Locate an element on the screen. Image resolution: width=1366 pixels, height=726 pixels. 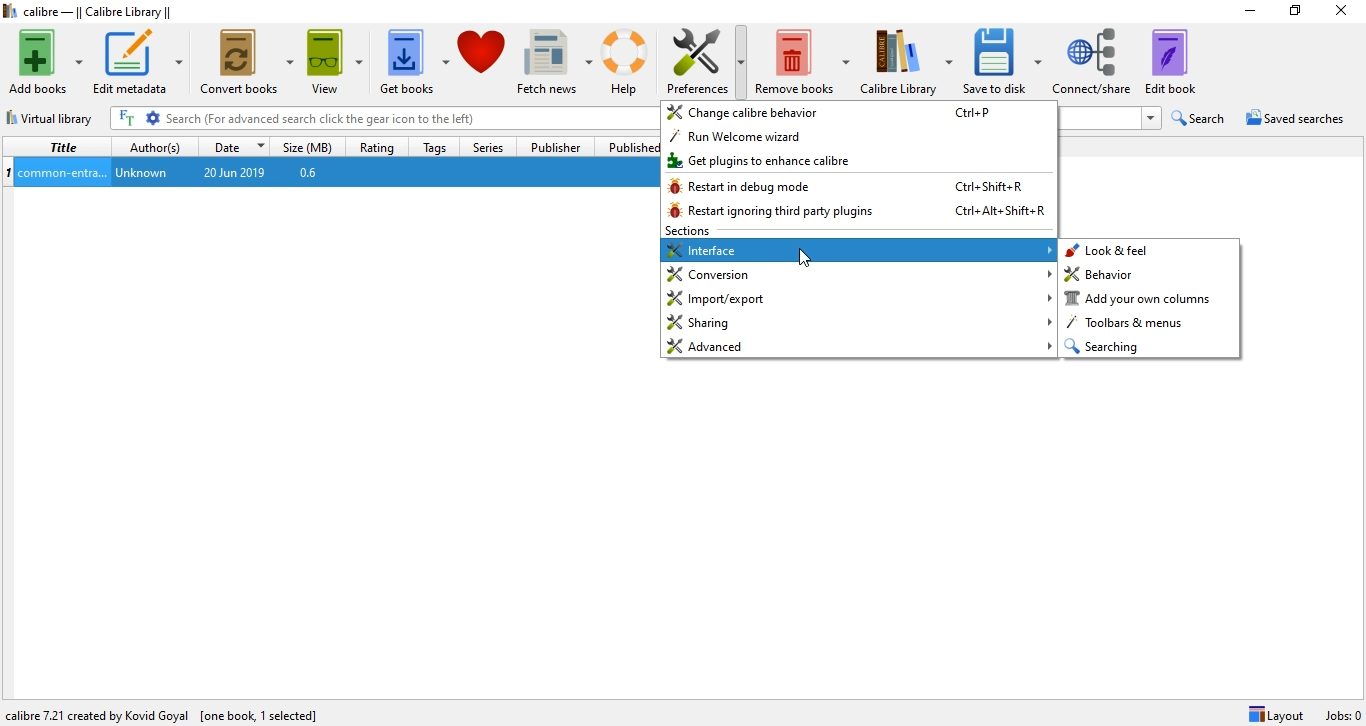
Jobs: 0 is located at coordinates (1341, 715).